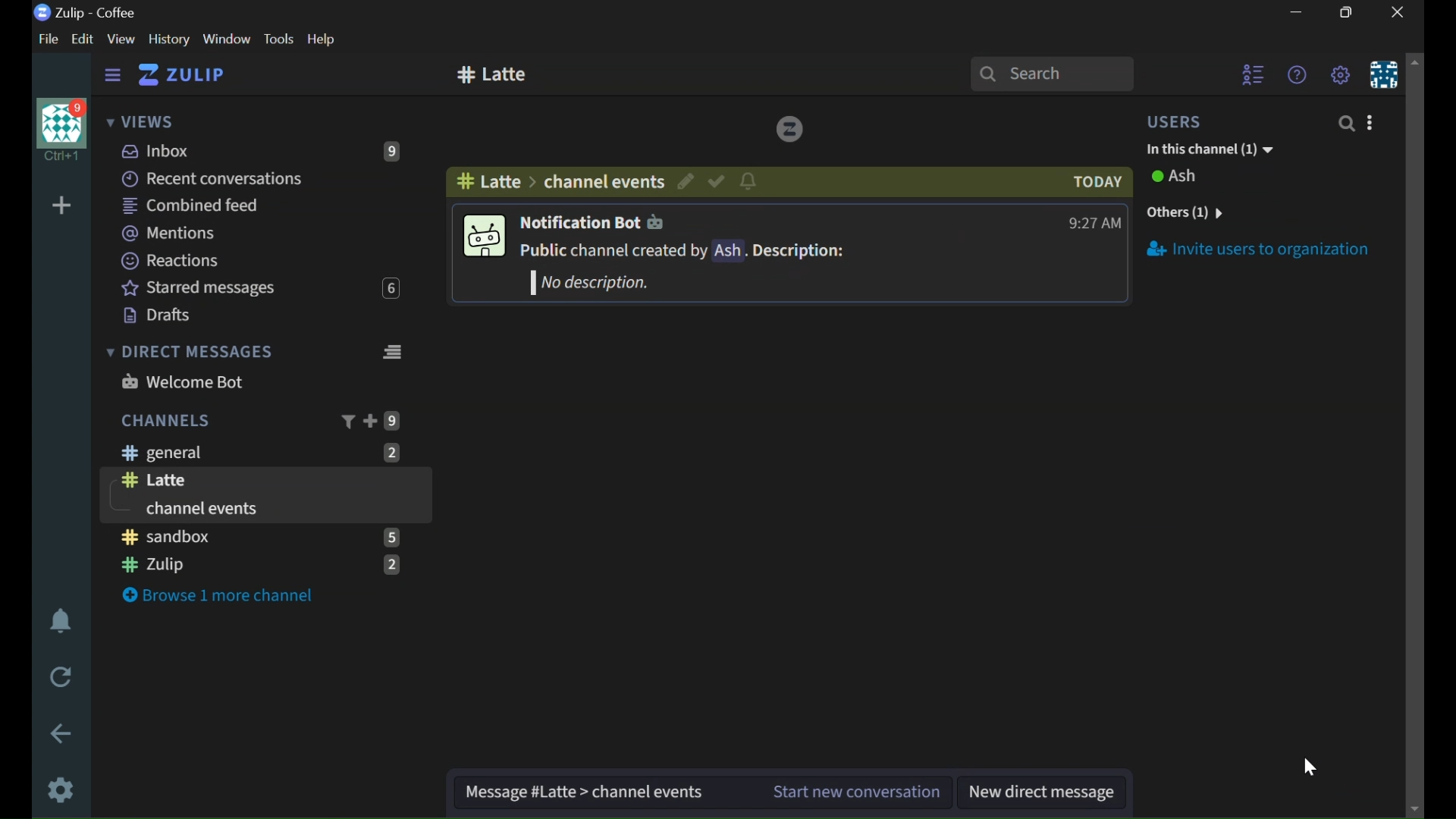  I want to click on WINDOW, so click(227, 39).